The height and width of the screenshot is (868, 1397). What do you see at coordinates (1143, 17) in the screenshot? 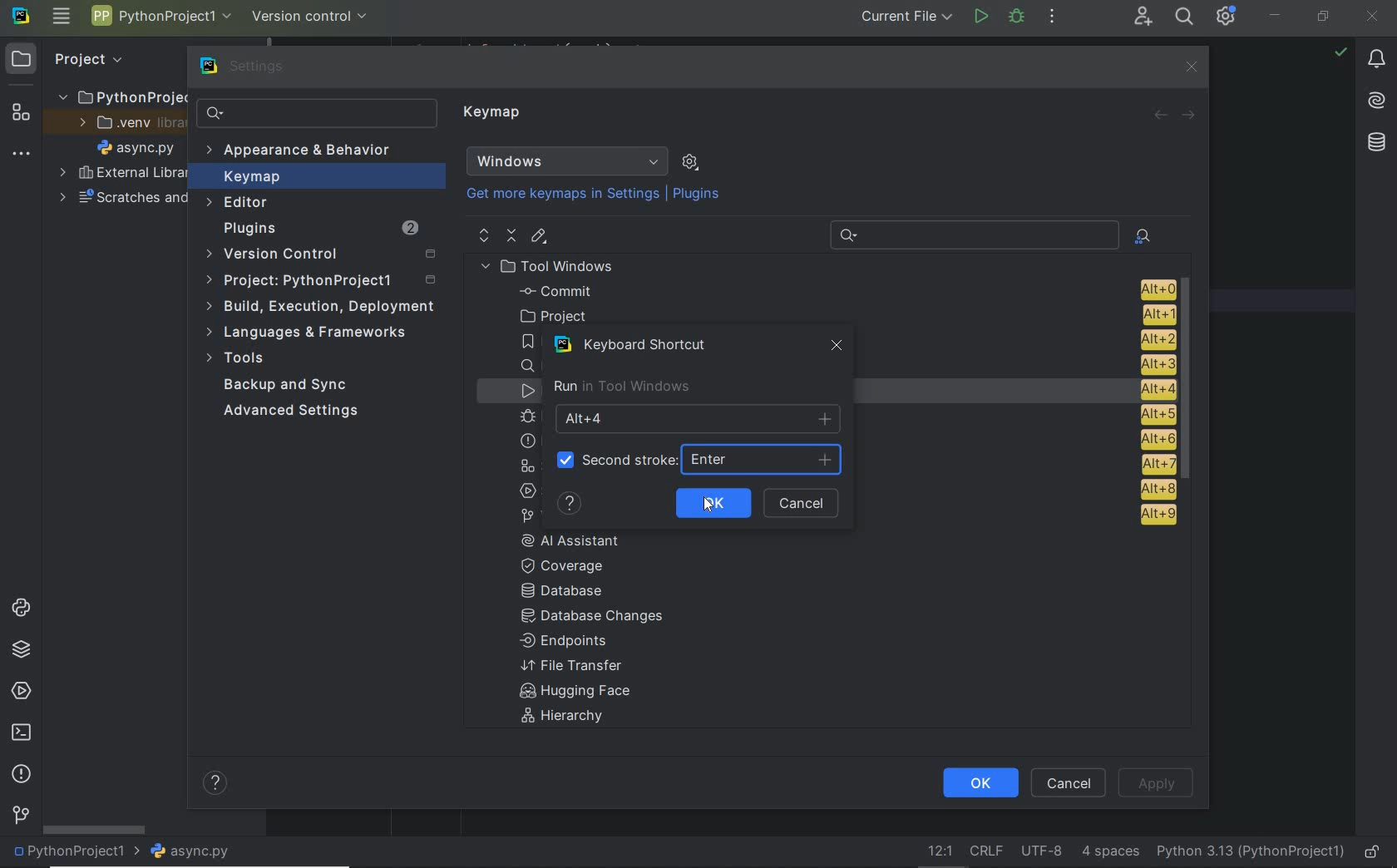
I see `Code With Me` at bounding box center [1143, 17].